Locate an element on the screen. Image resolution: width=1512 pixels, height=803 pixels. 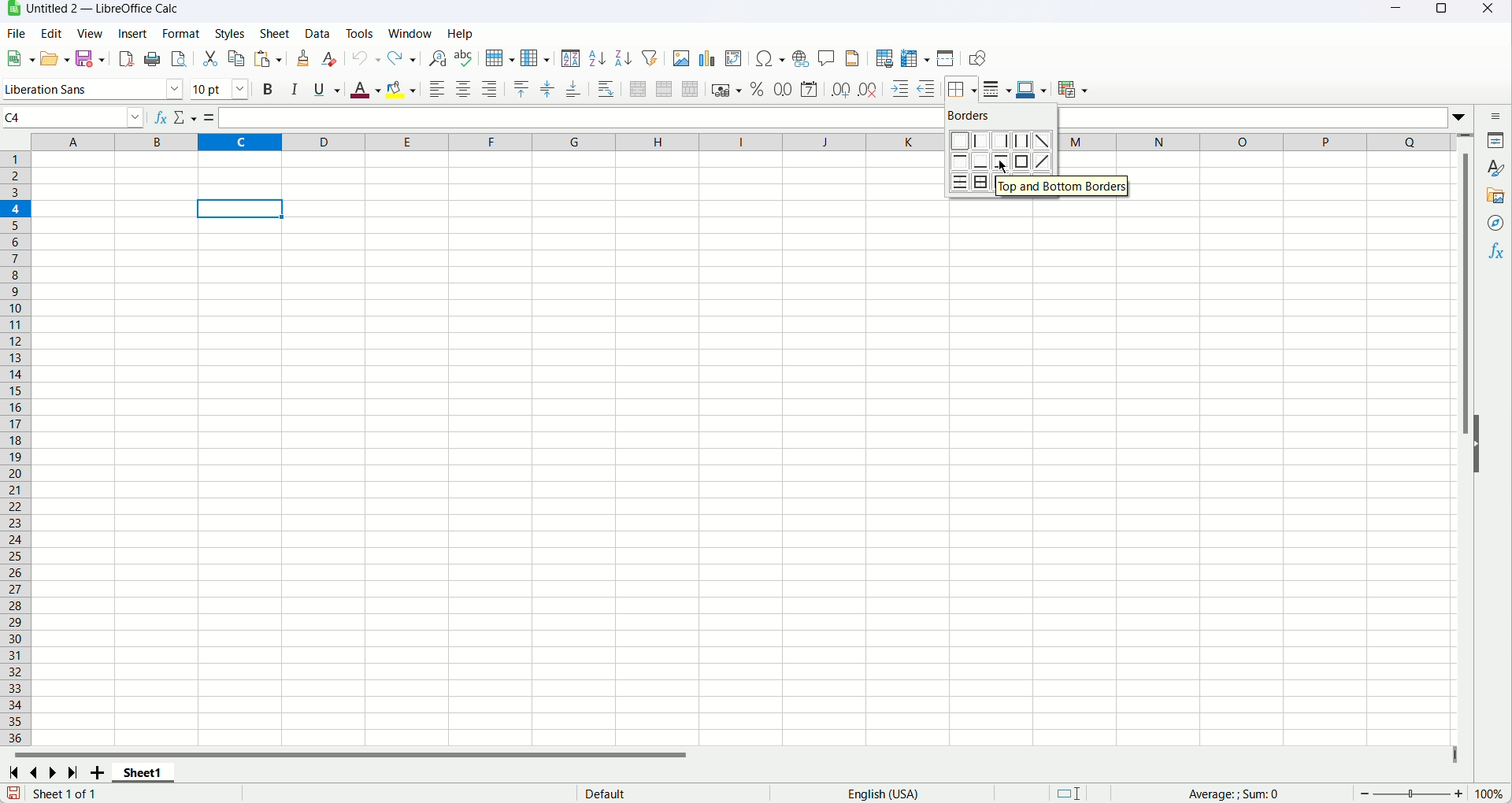
Sort is located at coordinates (571, 58).